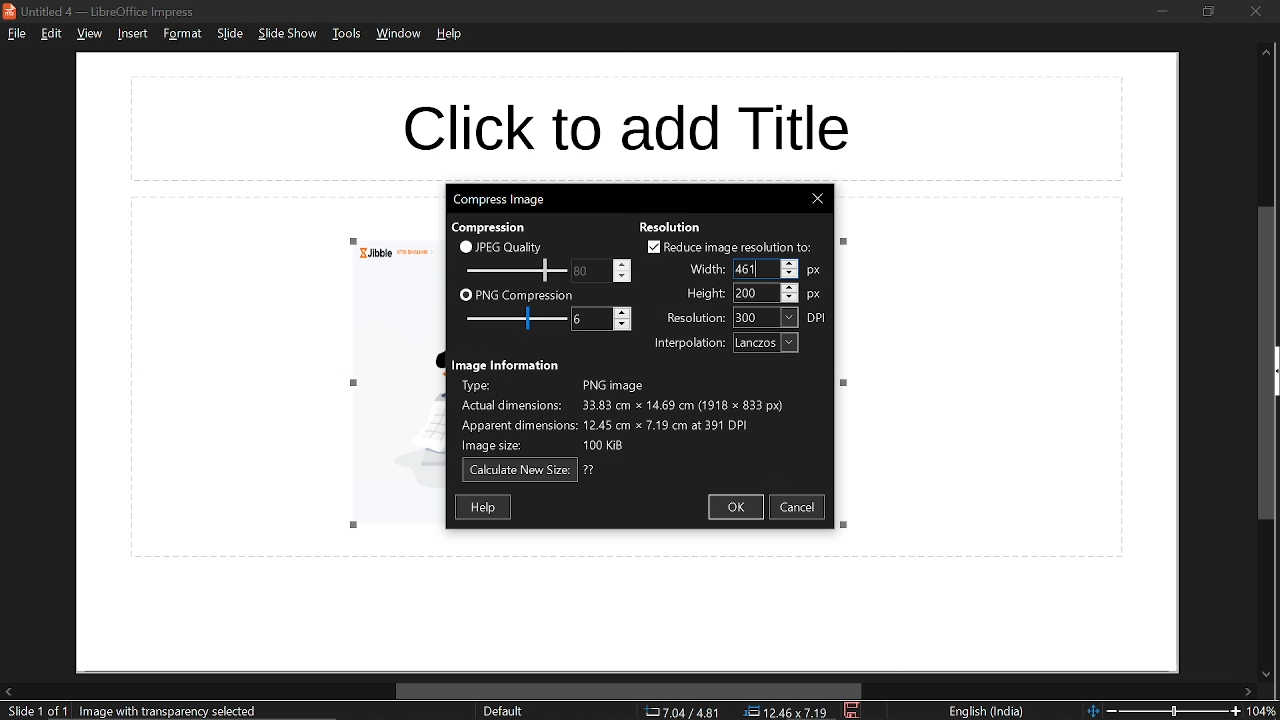  Describe the element at coordinates (1267, 363) in the screenshot. I see `vertical scrollbar` at that location.